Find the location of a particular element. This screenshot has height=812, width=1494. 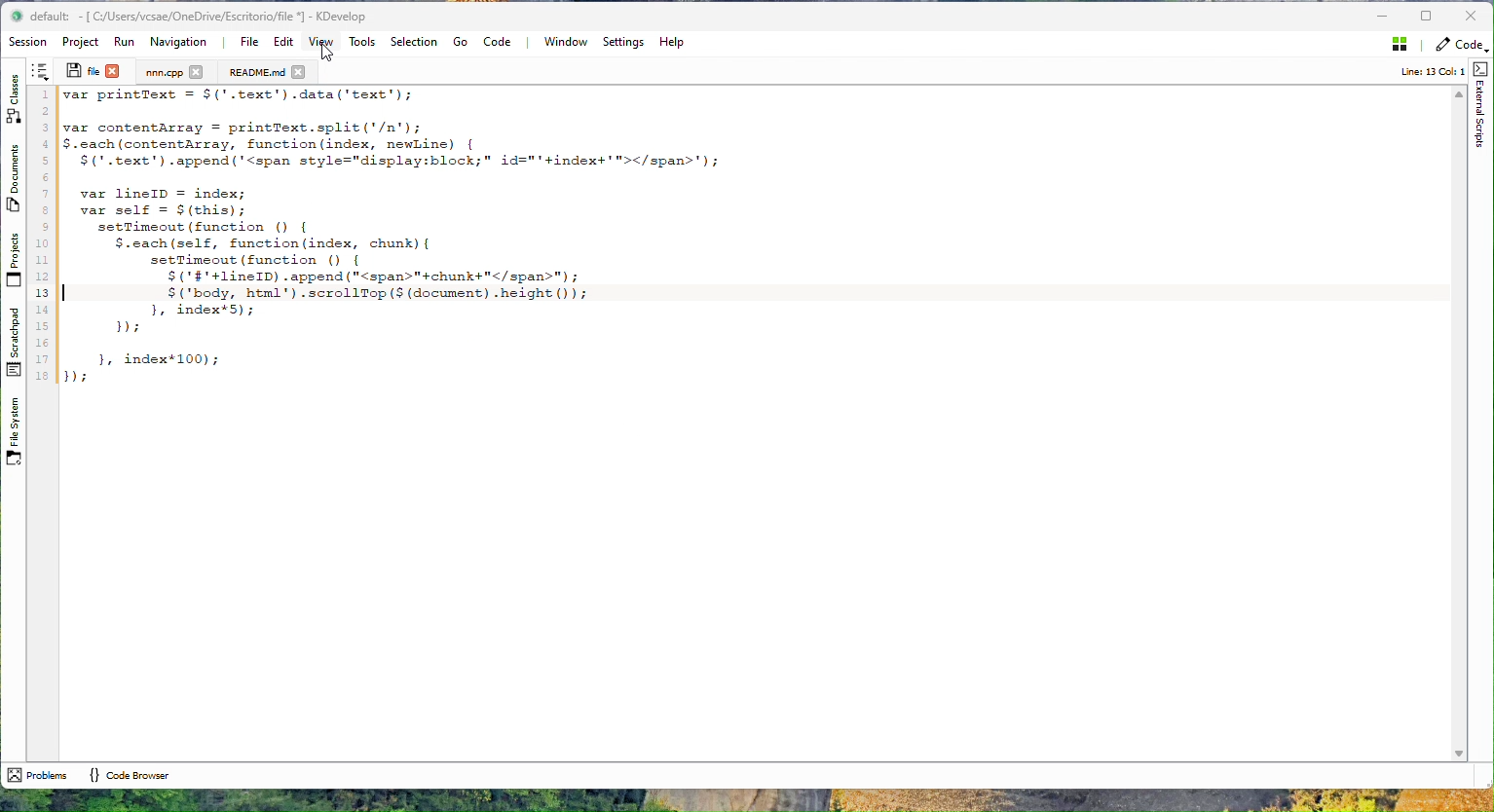

Run is located at coordinates (124, 42).